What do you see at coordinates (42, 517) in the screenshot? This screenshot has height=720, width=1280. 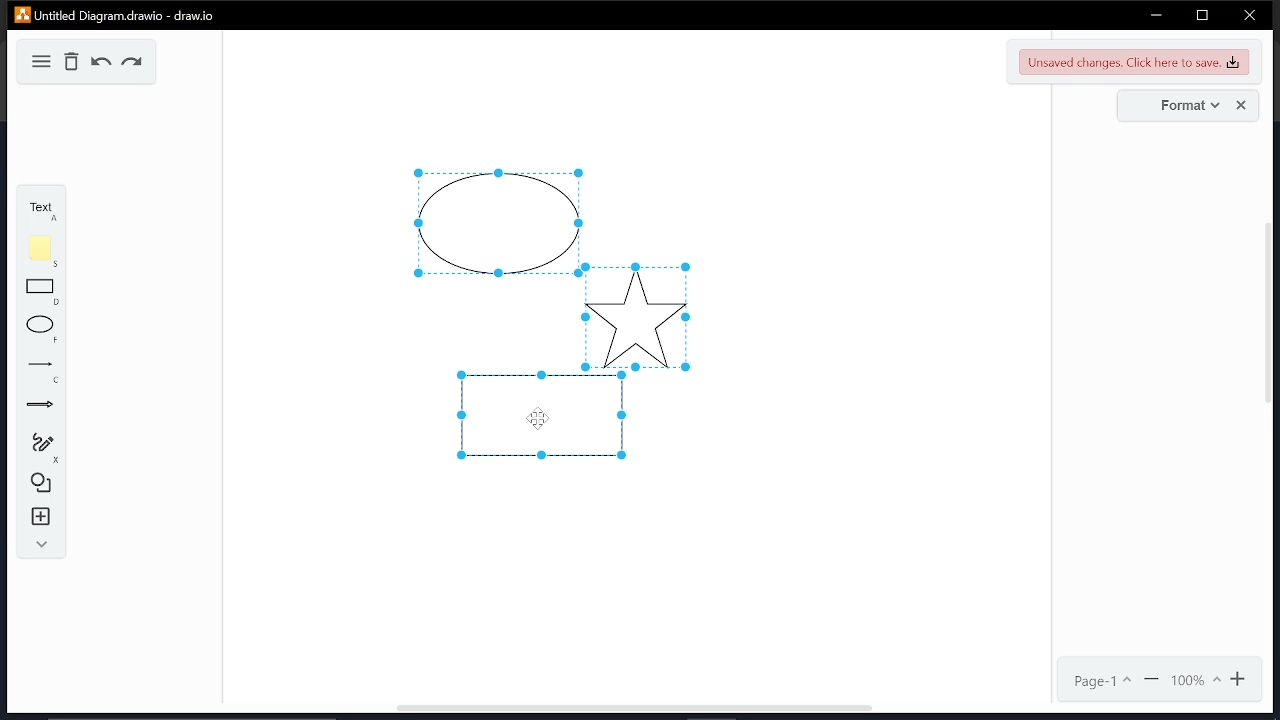 I see `insert` at bounding box center [42, 517].